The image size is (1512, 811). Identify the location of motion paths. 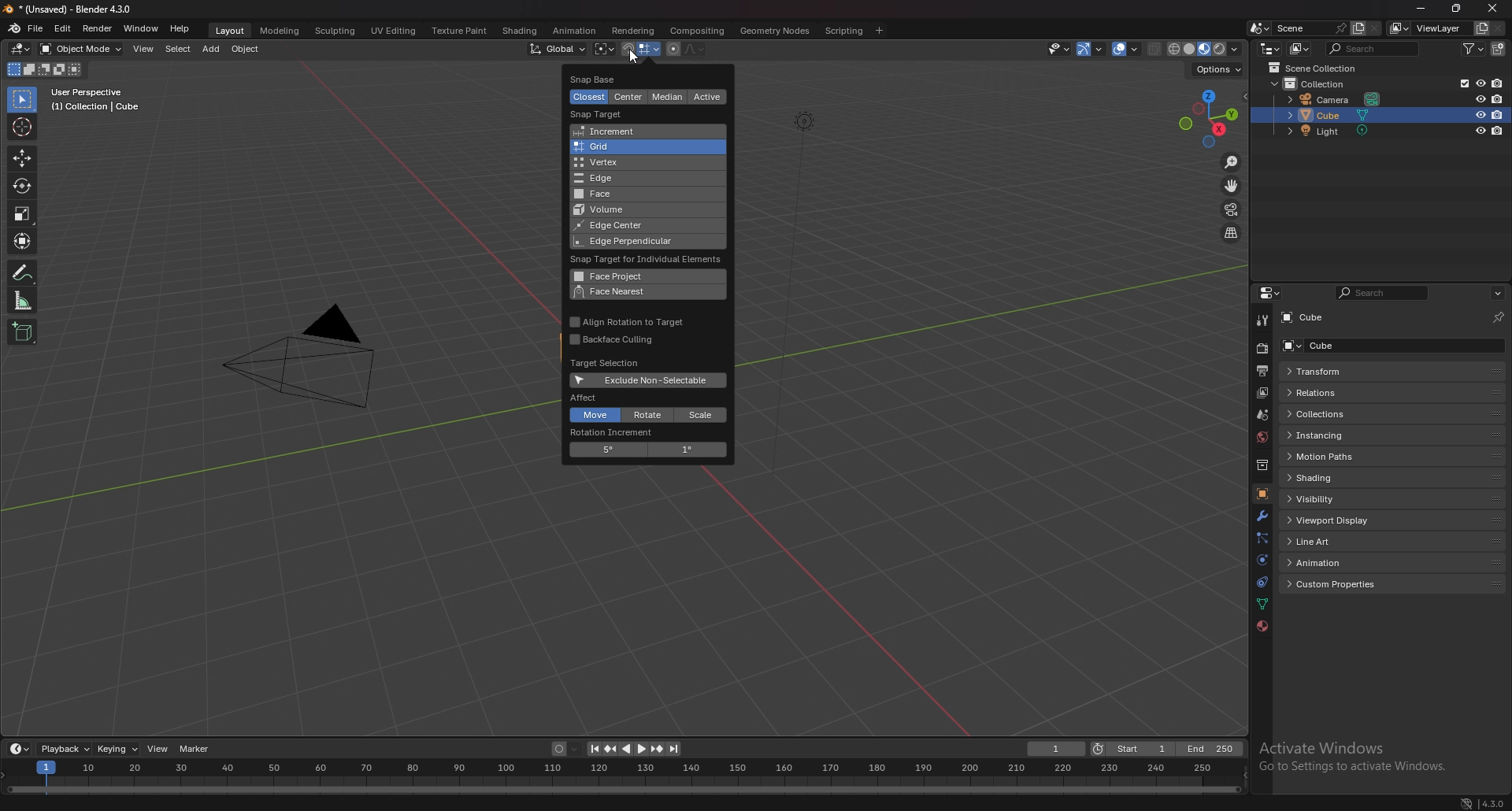
(1336, 457).